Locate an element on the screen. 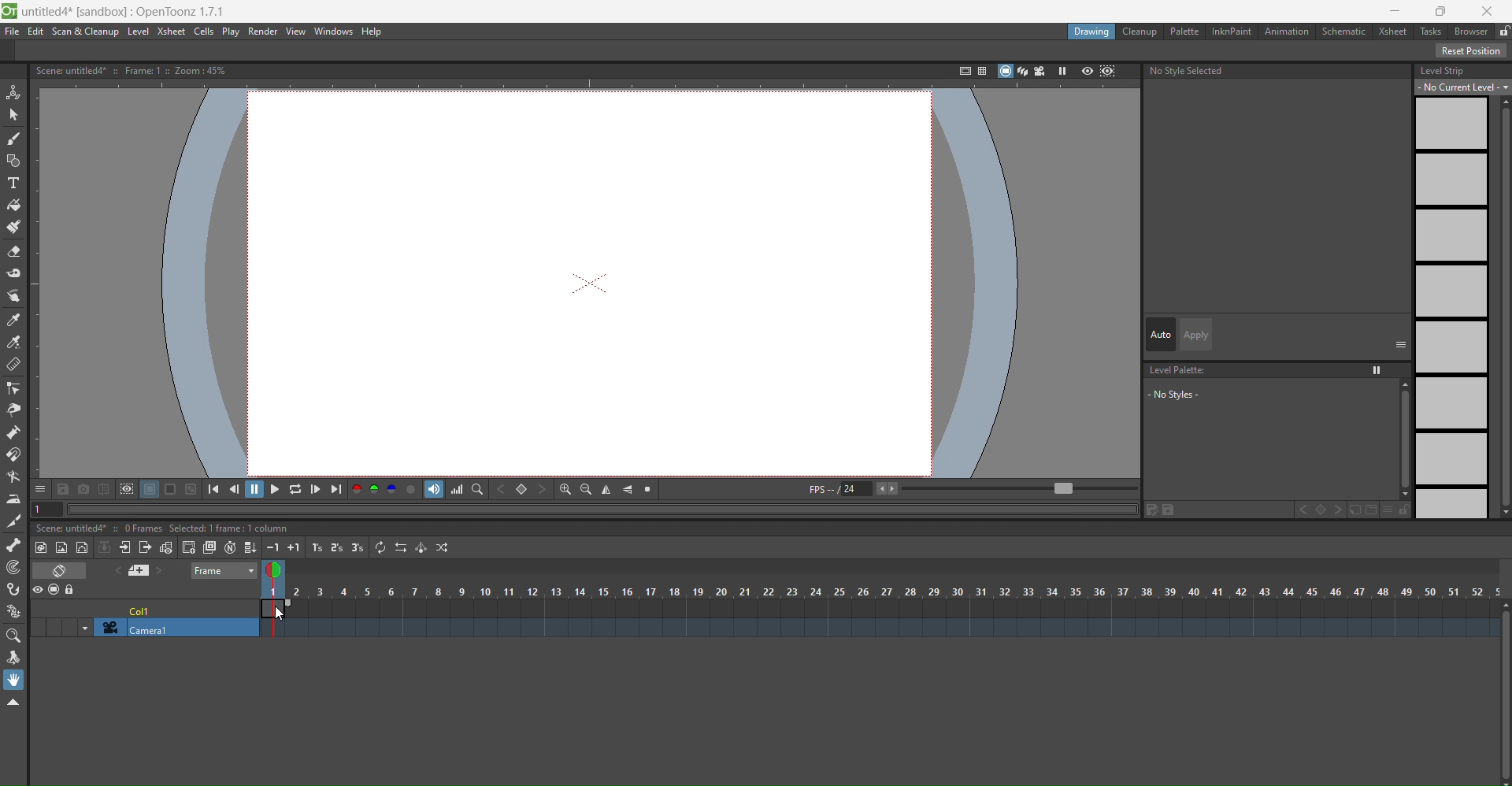 This screenshot has height=786, width=1512. eraser tool is located at coordinates (14, 251).